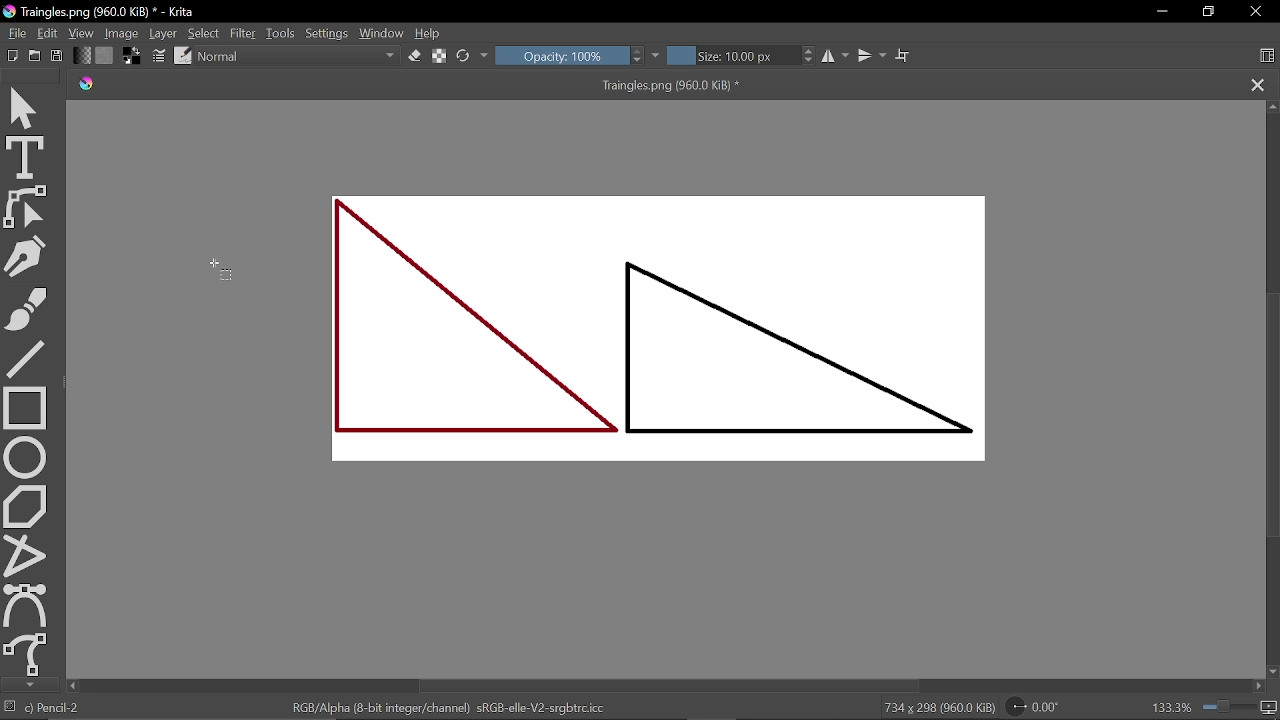 The height and width of the screenshot is (720, 1280). Describe the element at coordinates (298, 57) in the screenshot. I see `Normal` at that location.